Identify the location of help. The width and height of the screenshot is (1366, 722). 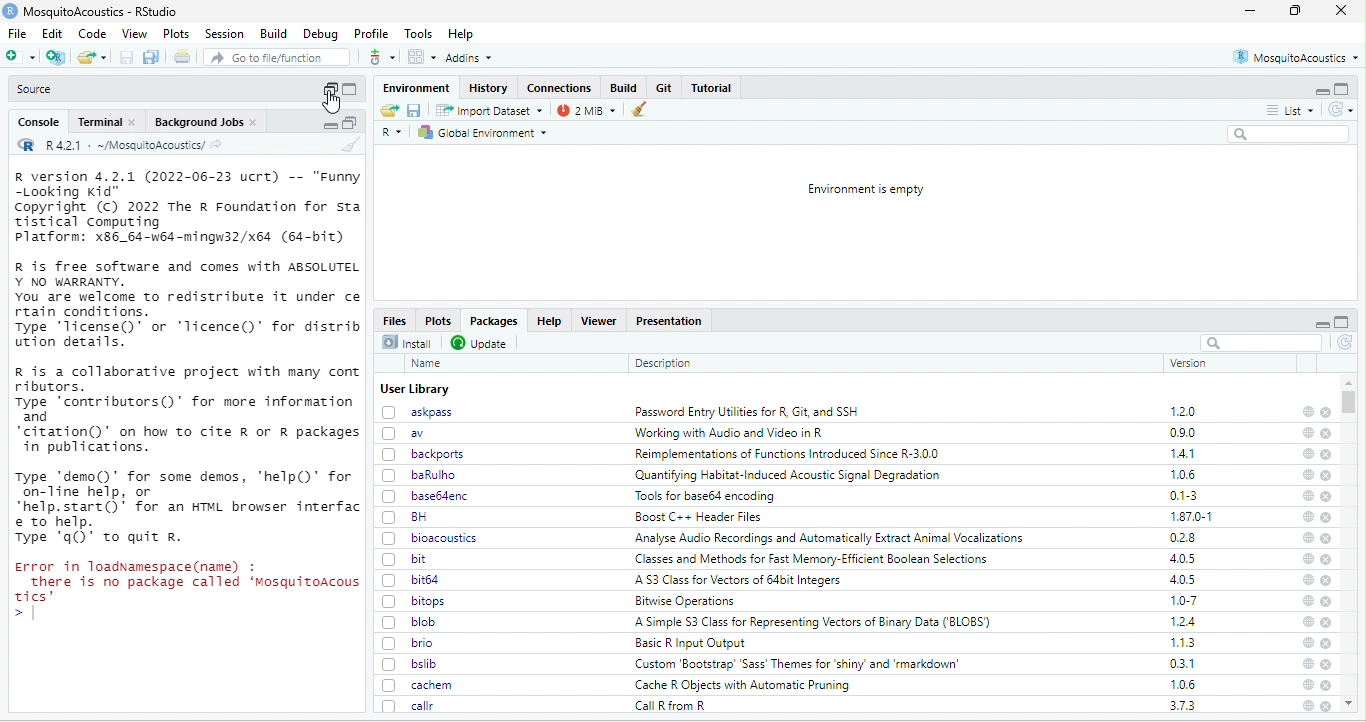
(1307, 496).